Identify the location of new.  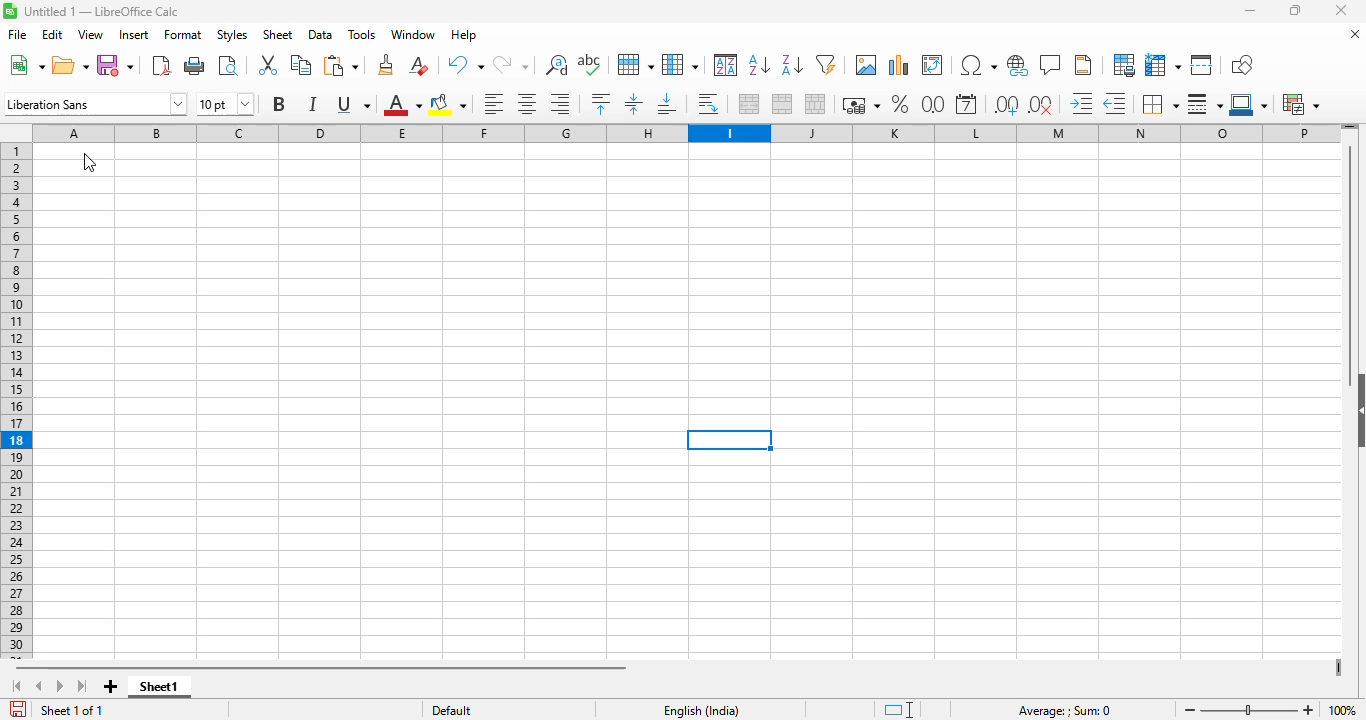
(26, 64).